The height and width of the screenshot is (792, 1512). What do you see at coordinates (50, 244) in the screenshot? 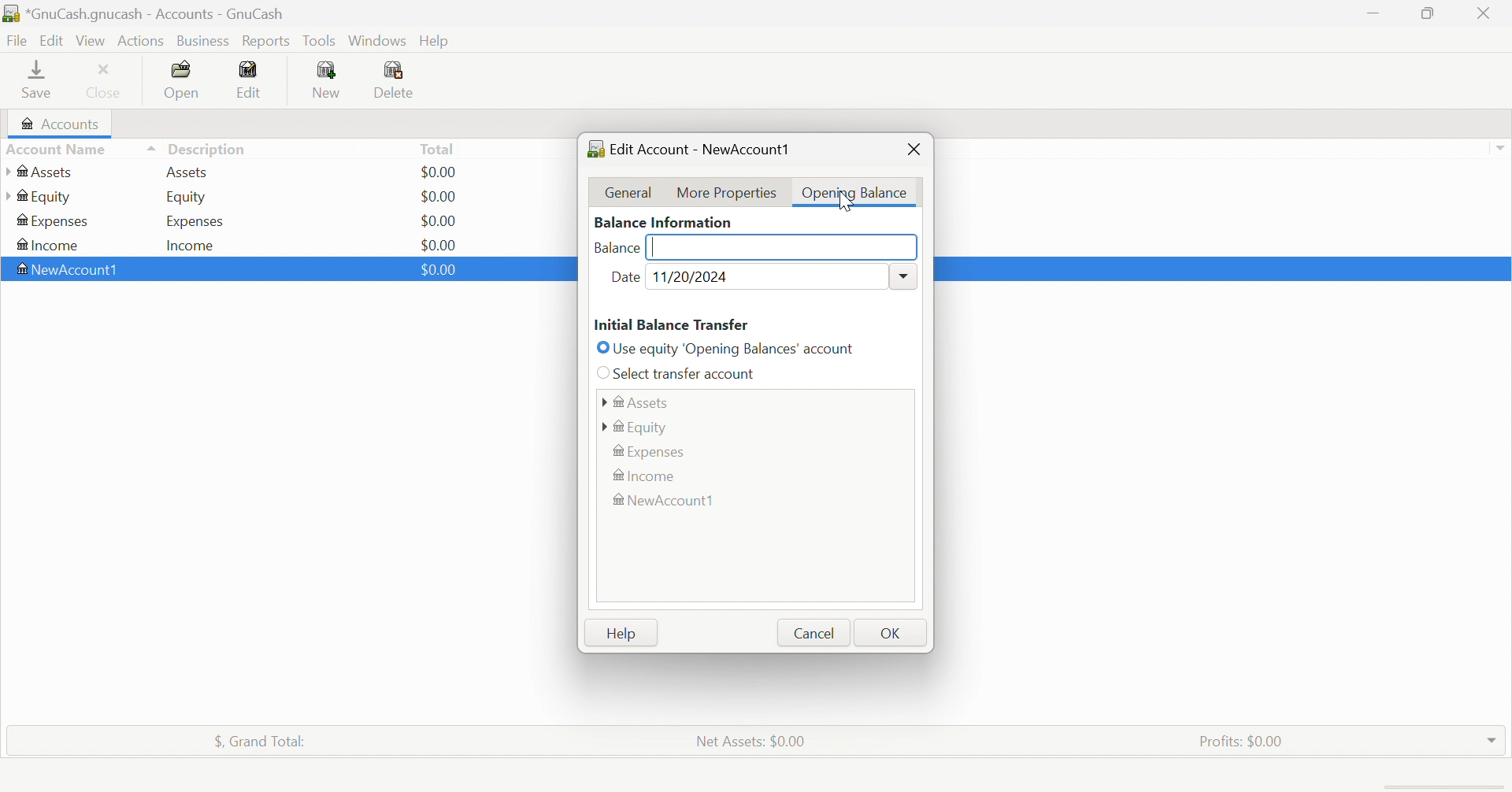
I see `Income` at bounding box center [50, 244].